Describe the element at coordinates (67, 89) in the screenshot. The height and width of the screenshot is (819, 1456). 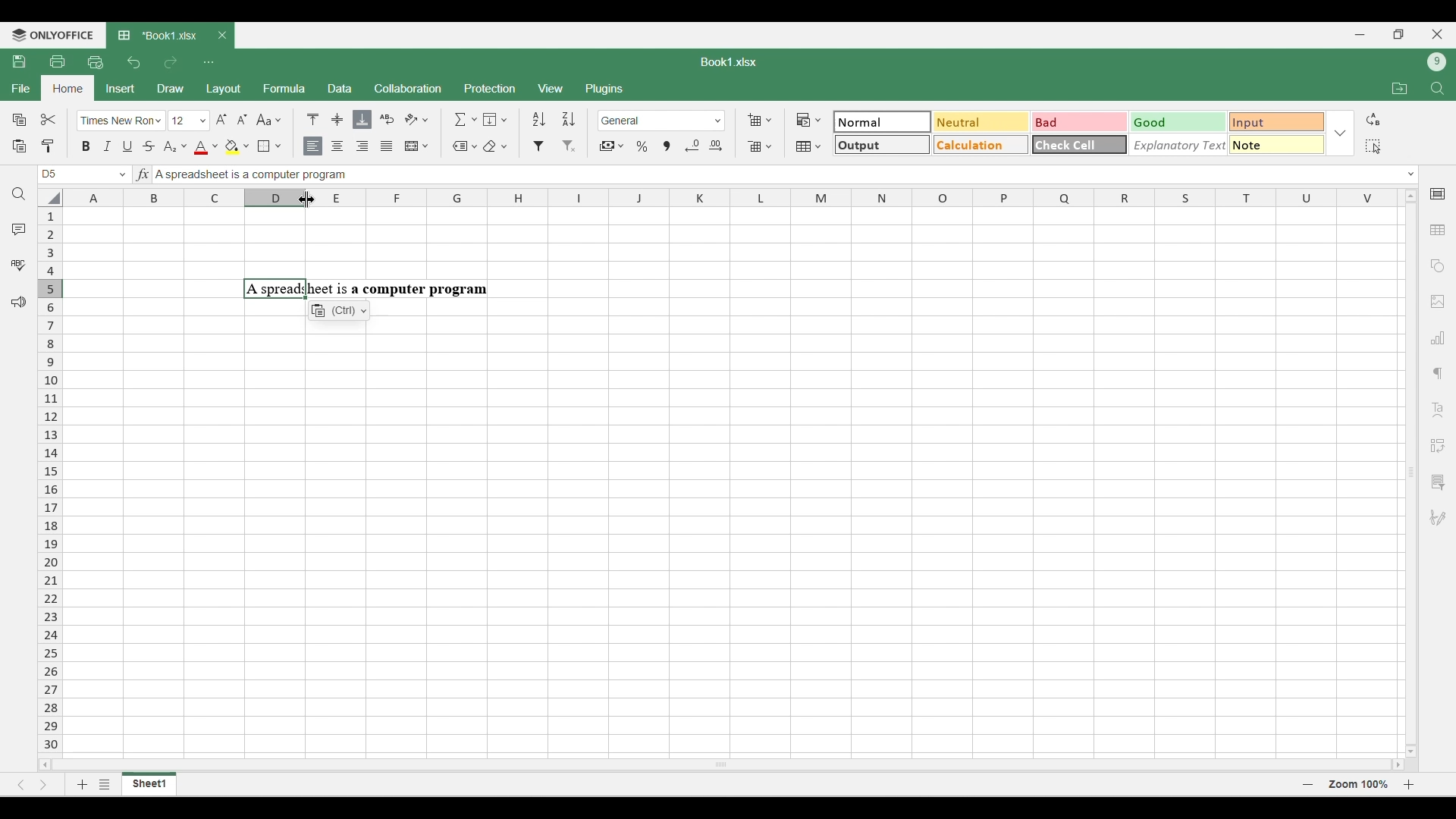
I see `Home menu, highlighted` at that location.